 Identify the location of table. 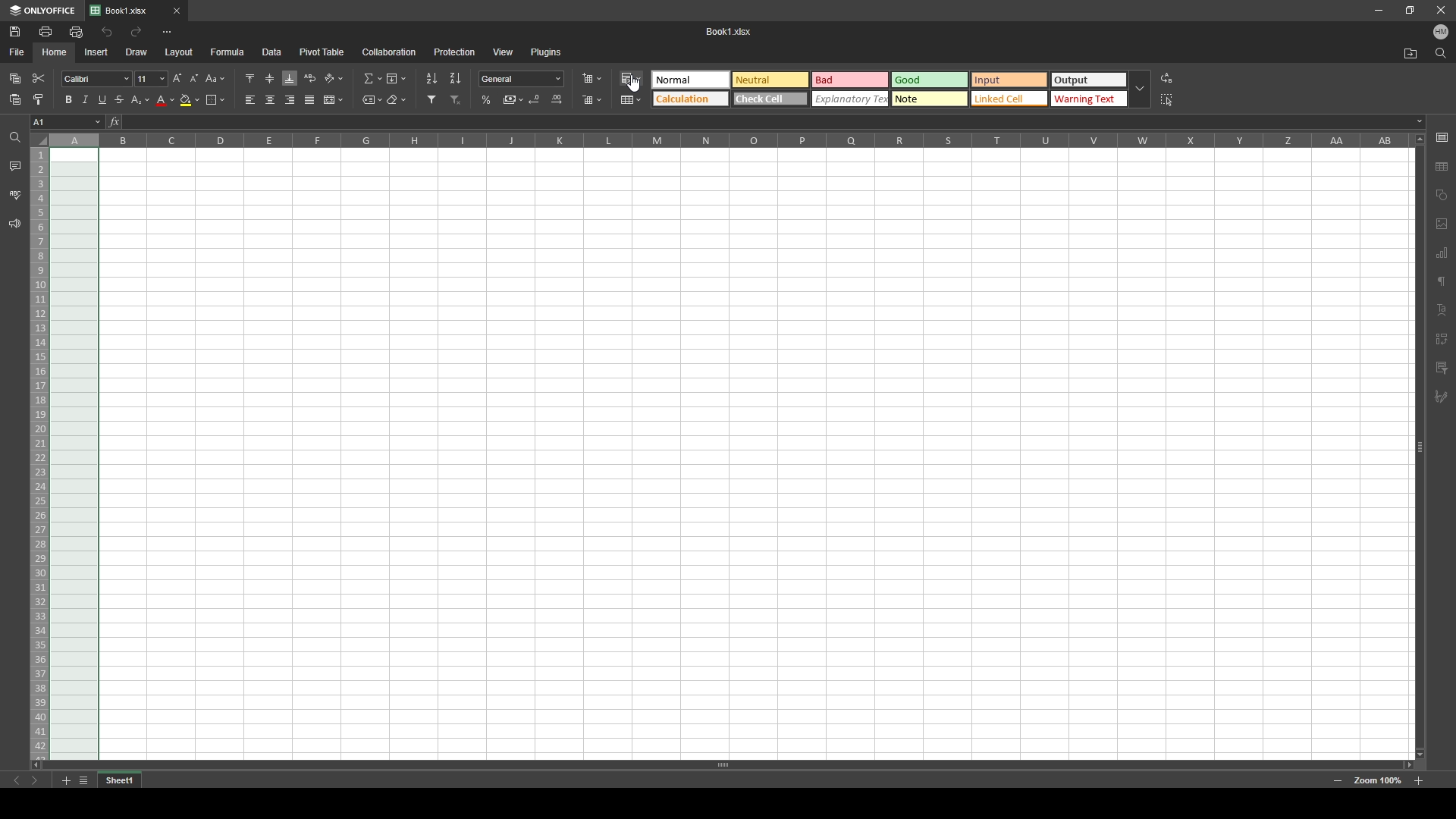
(1442, 166).